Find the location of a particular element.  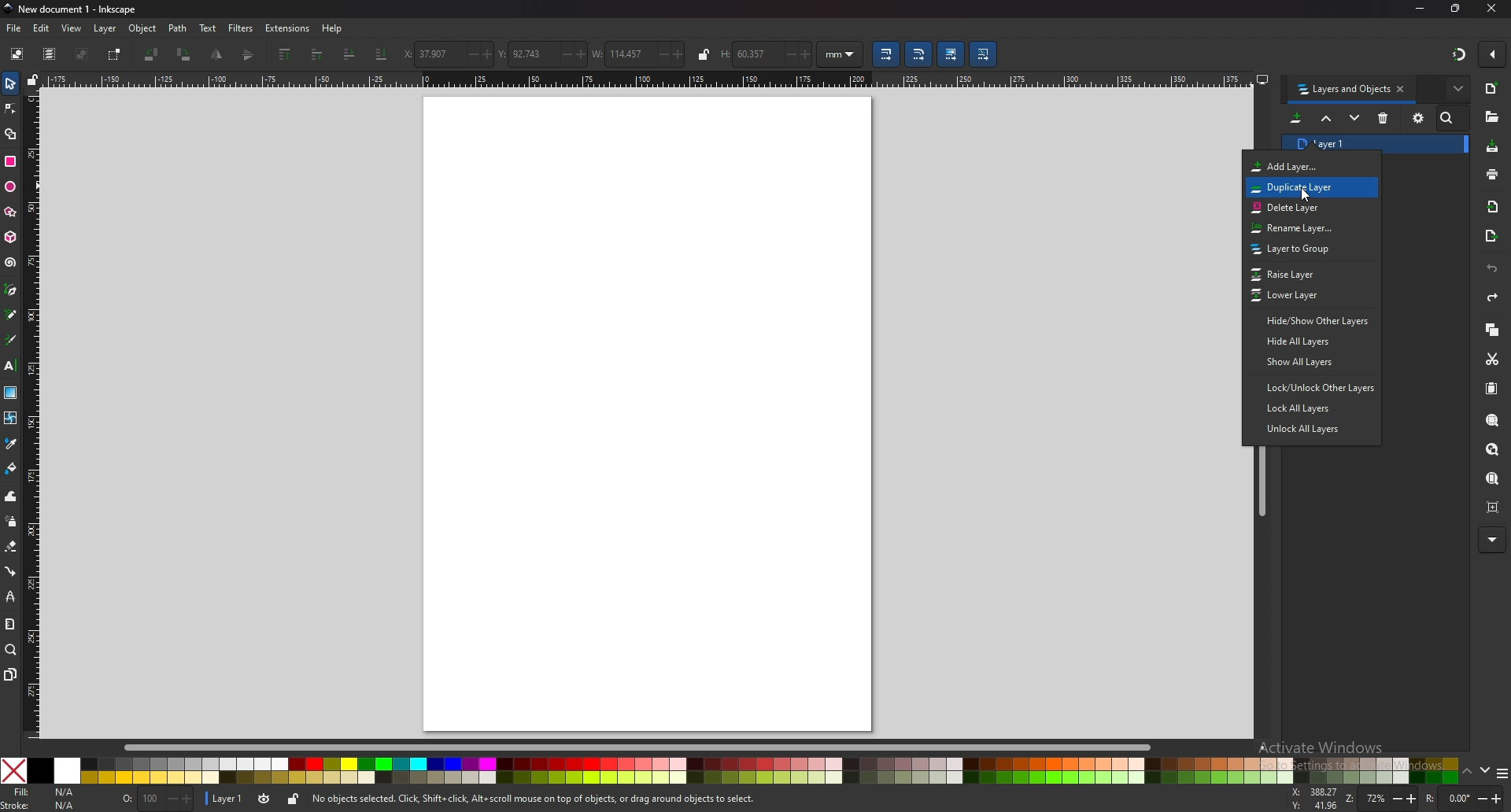

Decrease is located at coordinates (787, 54).